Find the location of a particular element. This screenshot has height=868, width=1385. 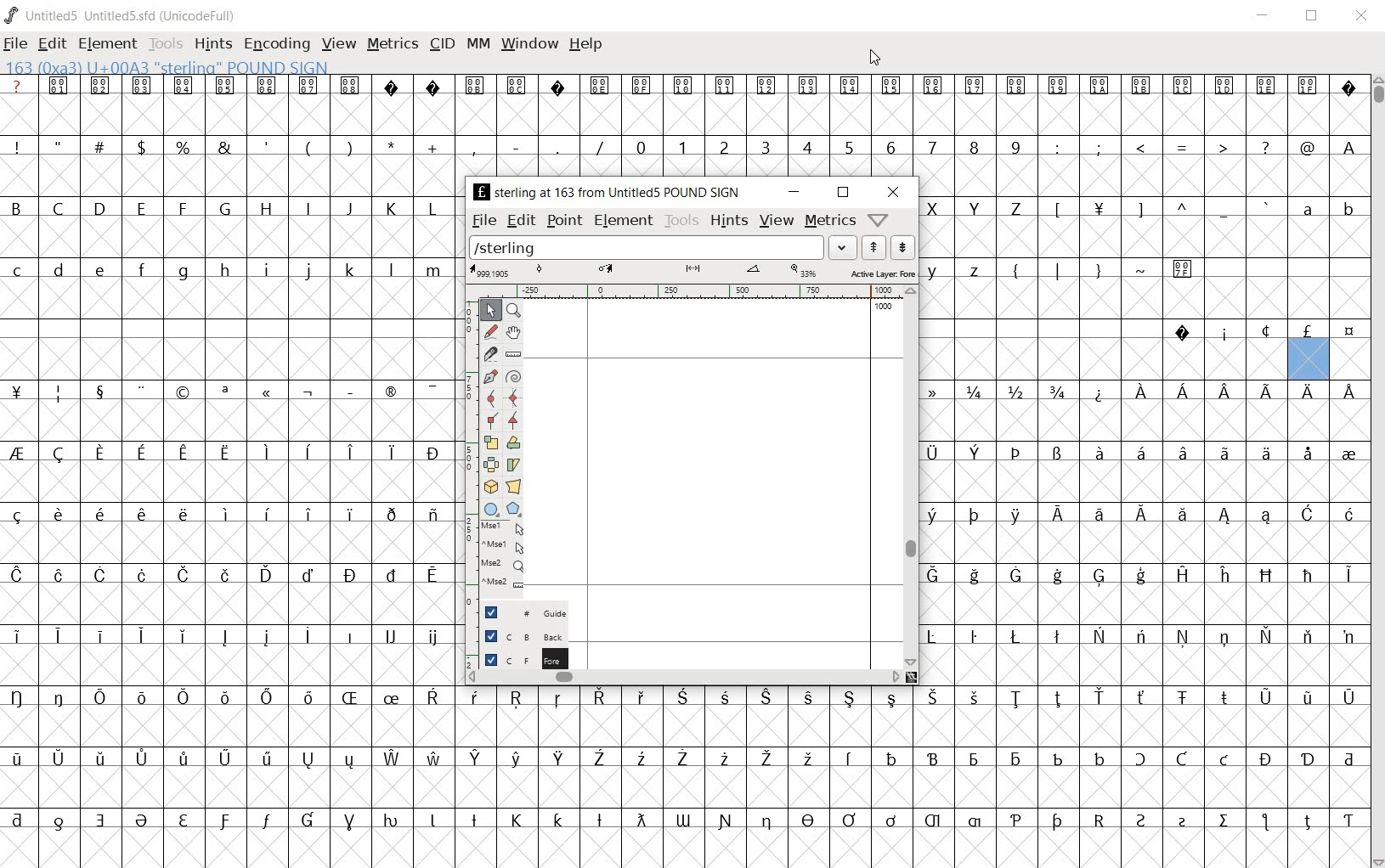

Symbol is located at coordinates (933, 758).